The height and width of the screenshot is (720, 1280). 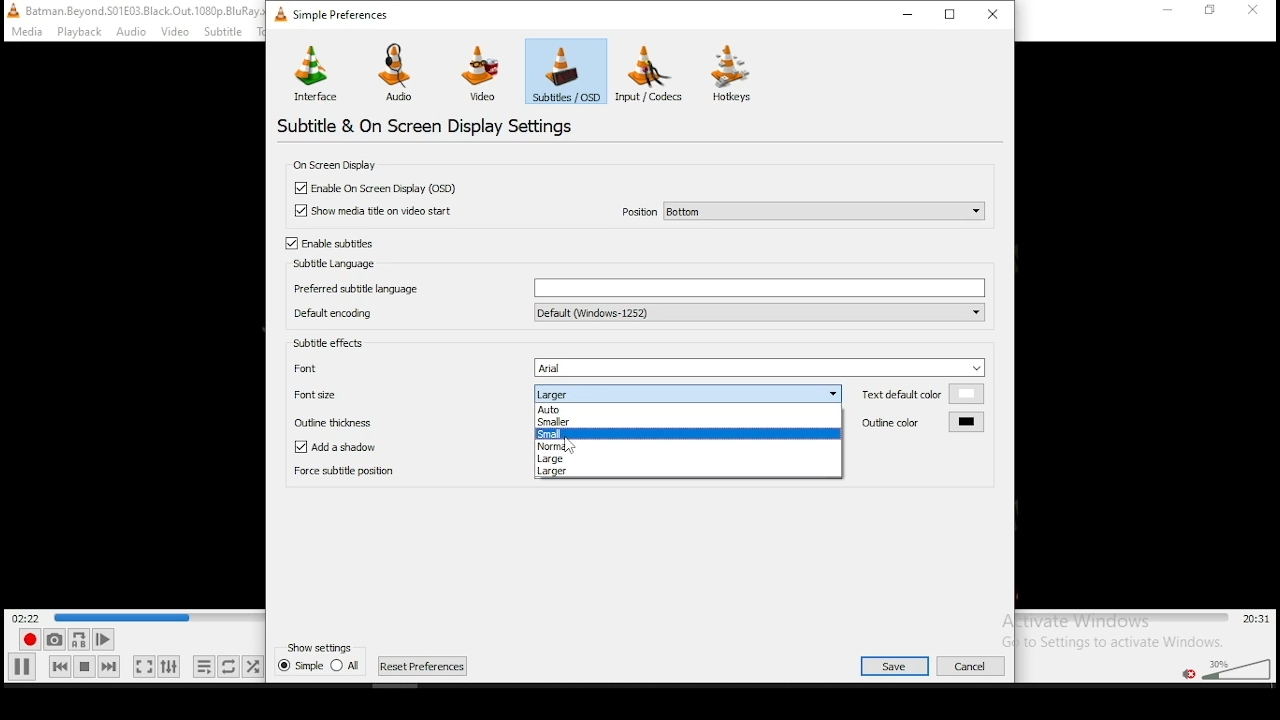 What do you see at coordinates (77, 639) in the screenshot?
I see `repeat continously between point A and point B. Click to set point A` at bounding box center [77, 639].